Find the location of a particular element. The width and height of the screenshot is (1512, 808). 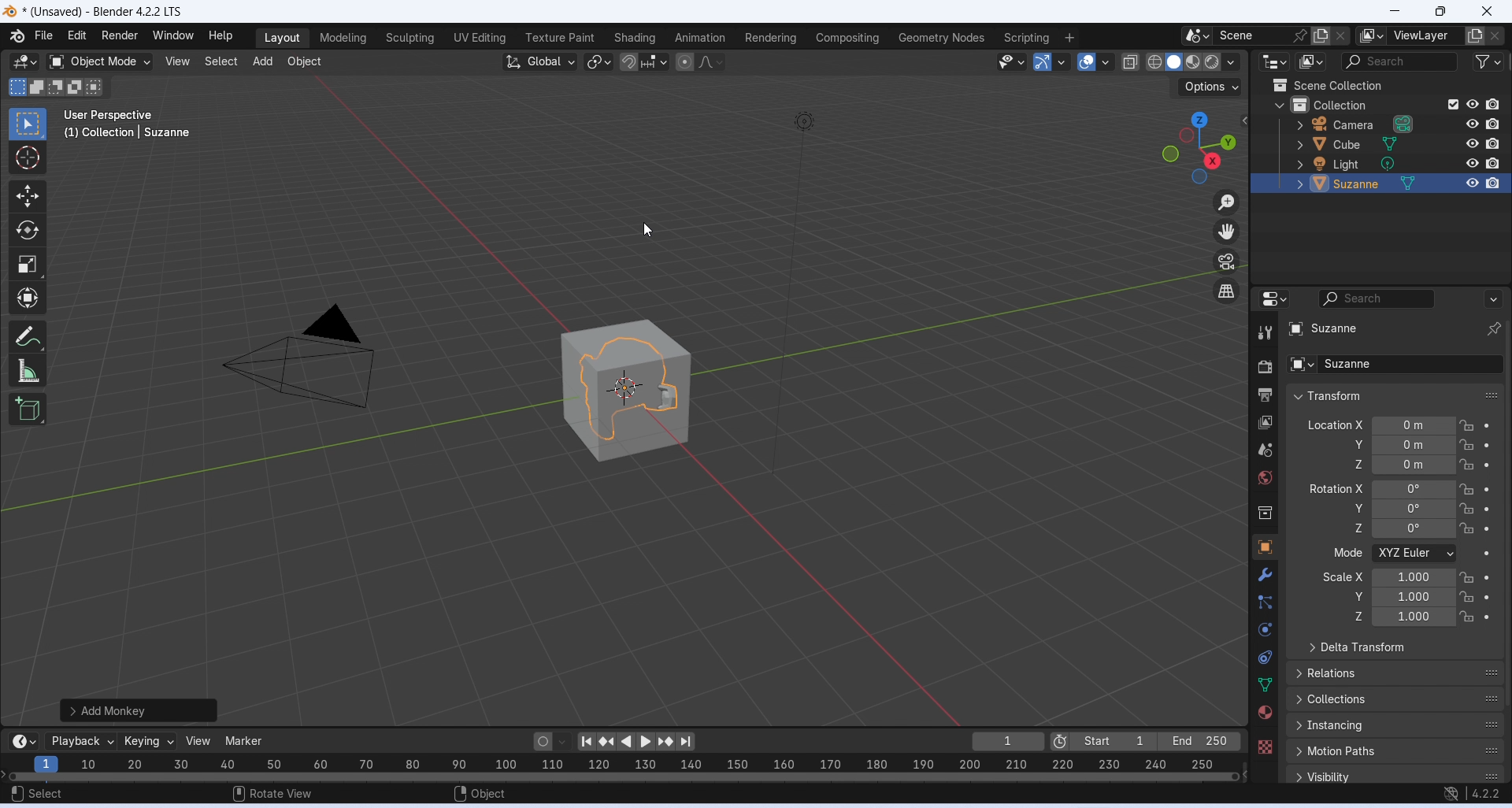

playback is located at coordinates (80, 741).